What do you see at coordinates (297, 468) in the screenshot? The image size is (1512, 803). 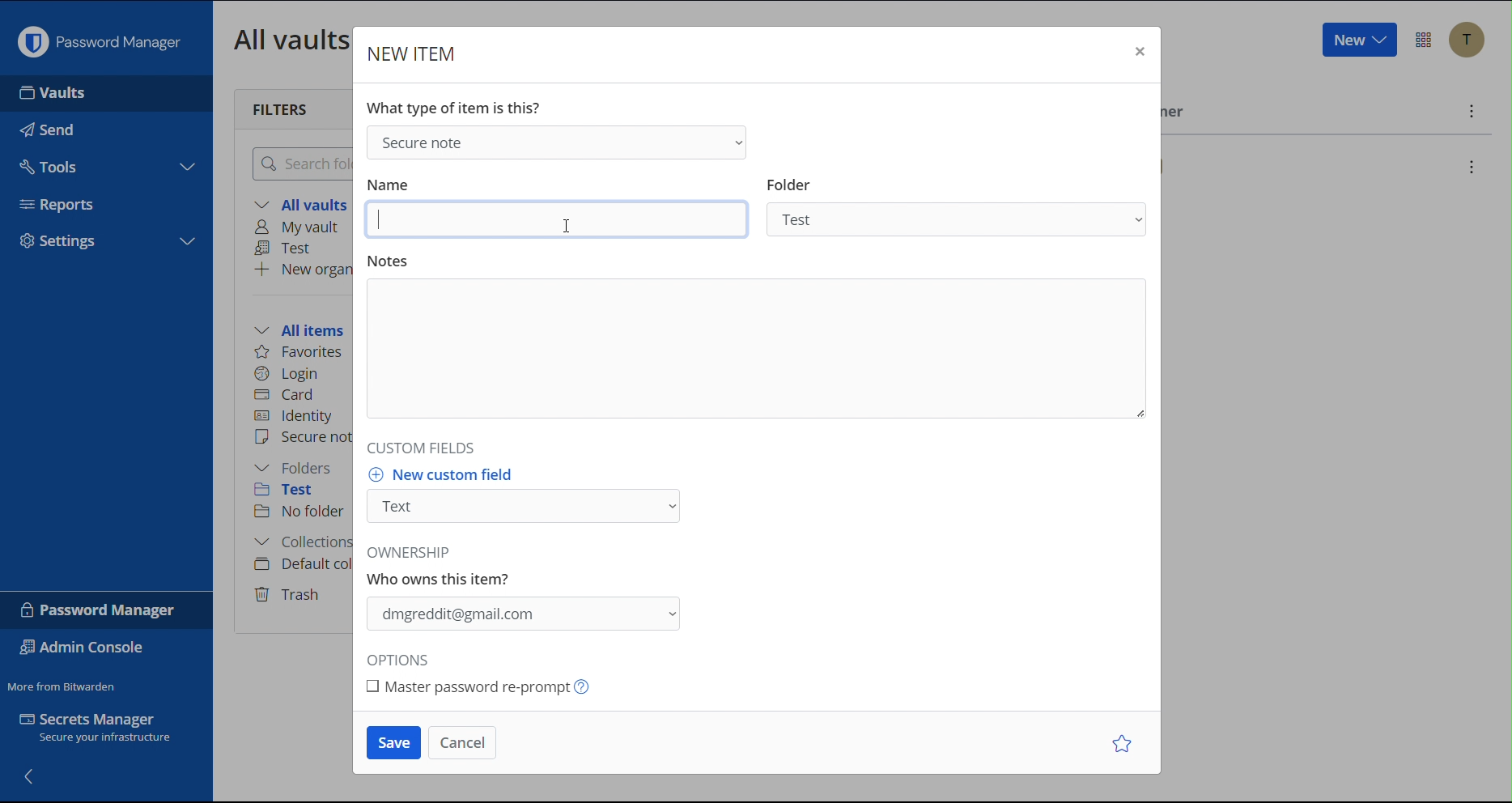 I see `Folders` at bounding box center [297, 468].